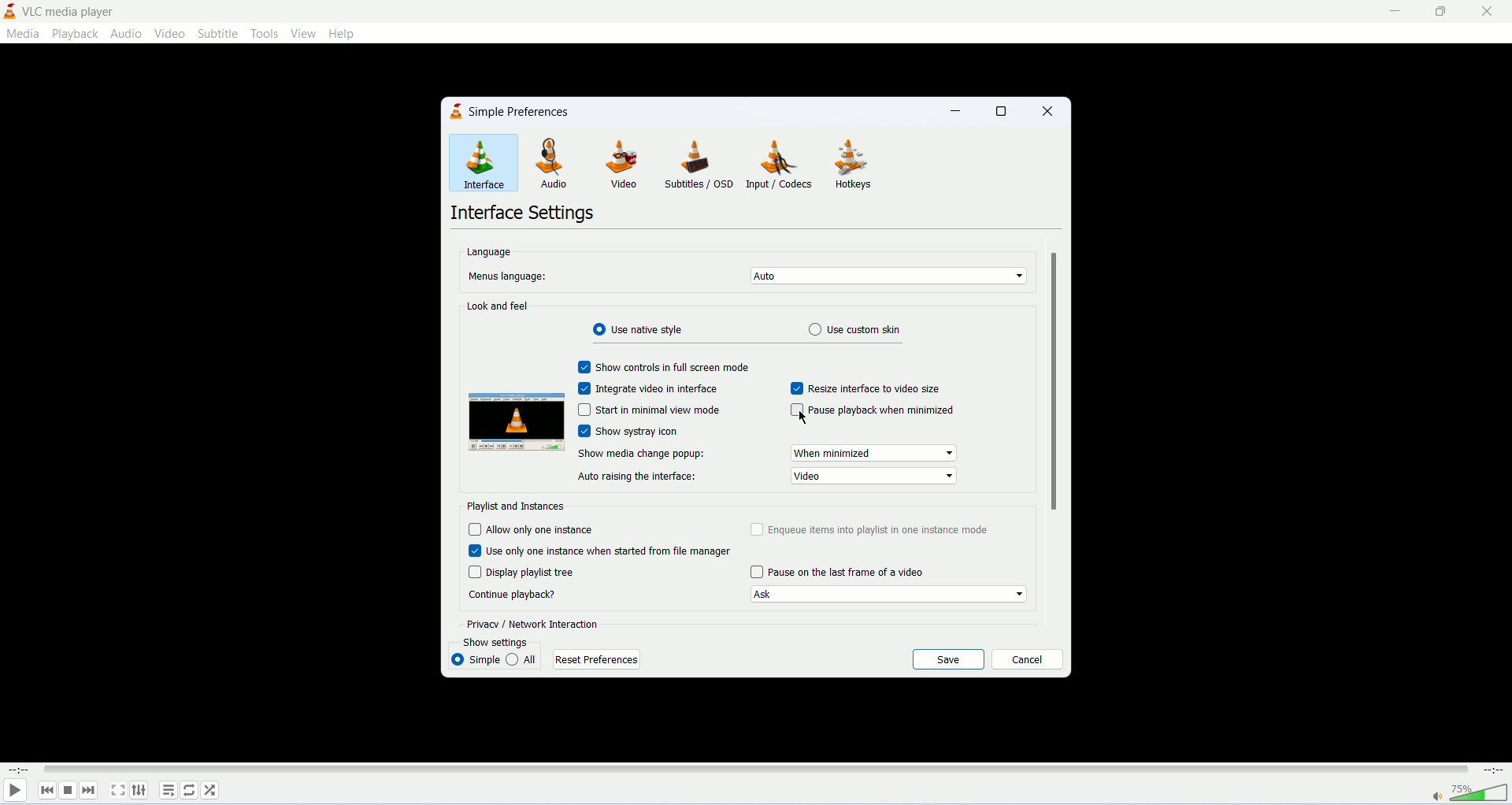  What do you see at coordinates (954, 111) in the screenshot?
I see `minimize` at bounding box center [954, 111].